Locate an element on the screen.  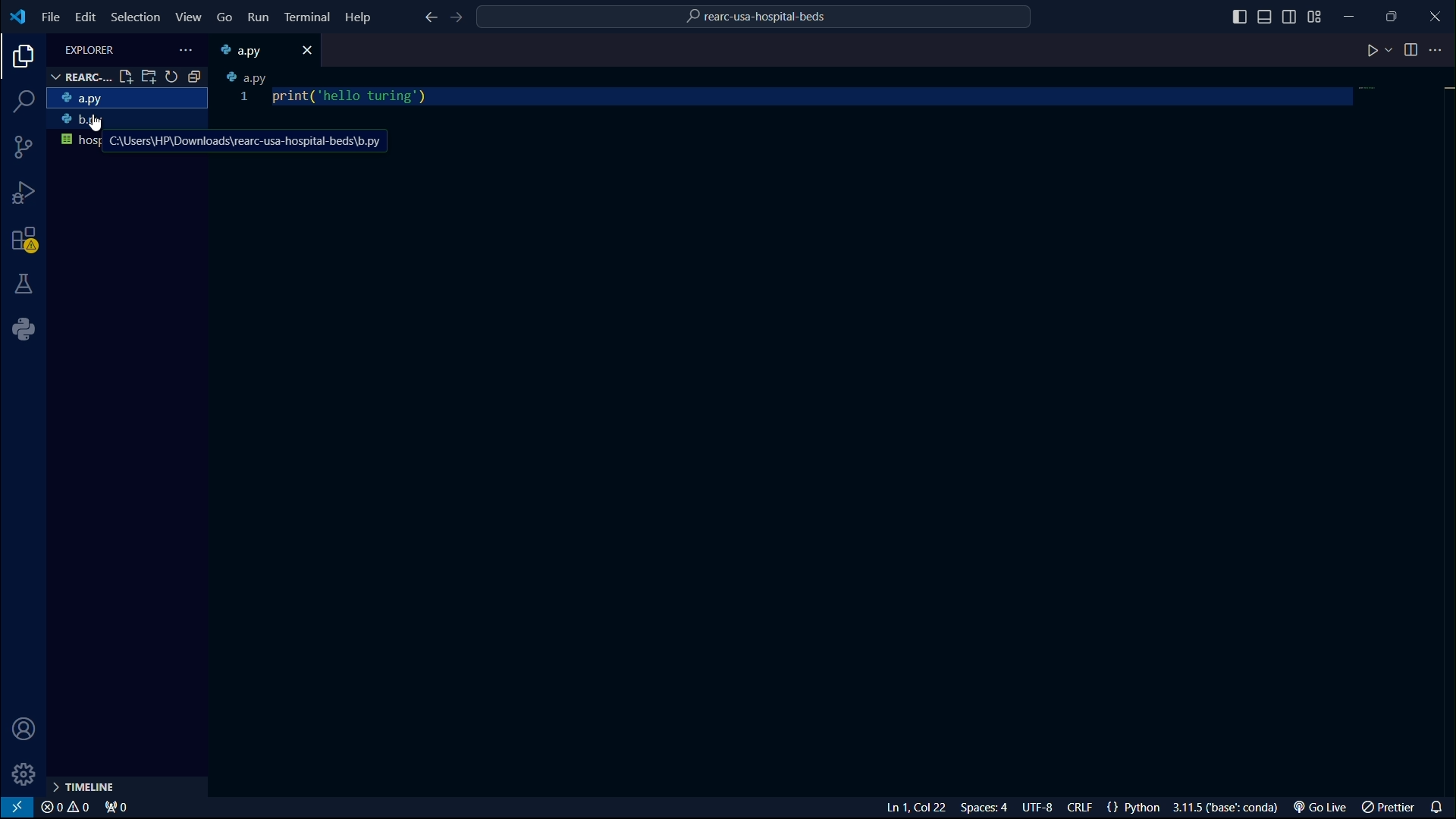
selection menu is located at coordinates (134, 14).